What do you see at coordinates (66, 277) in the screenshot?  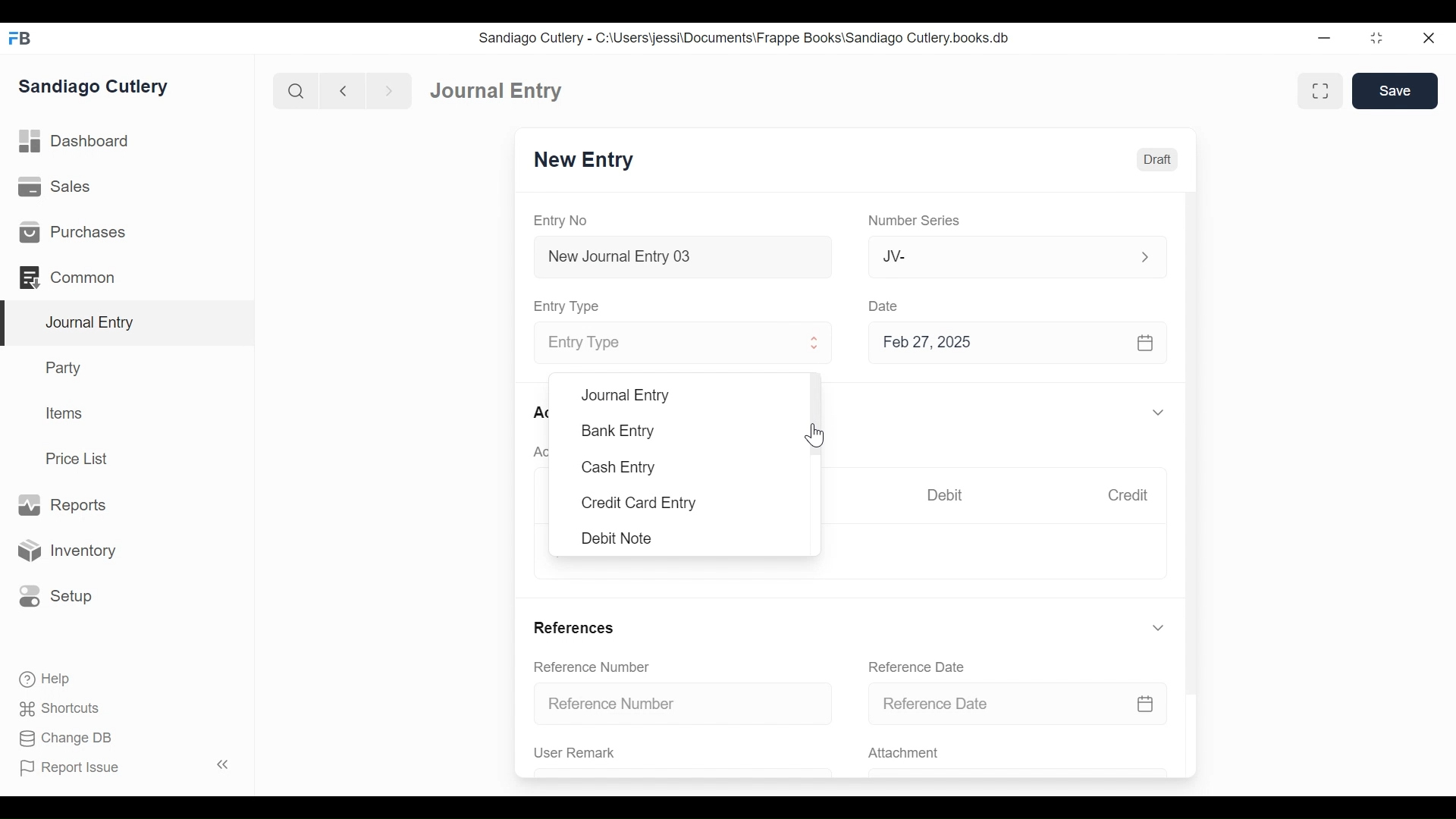 I see `Commons` at bounding box center [66, 277].